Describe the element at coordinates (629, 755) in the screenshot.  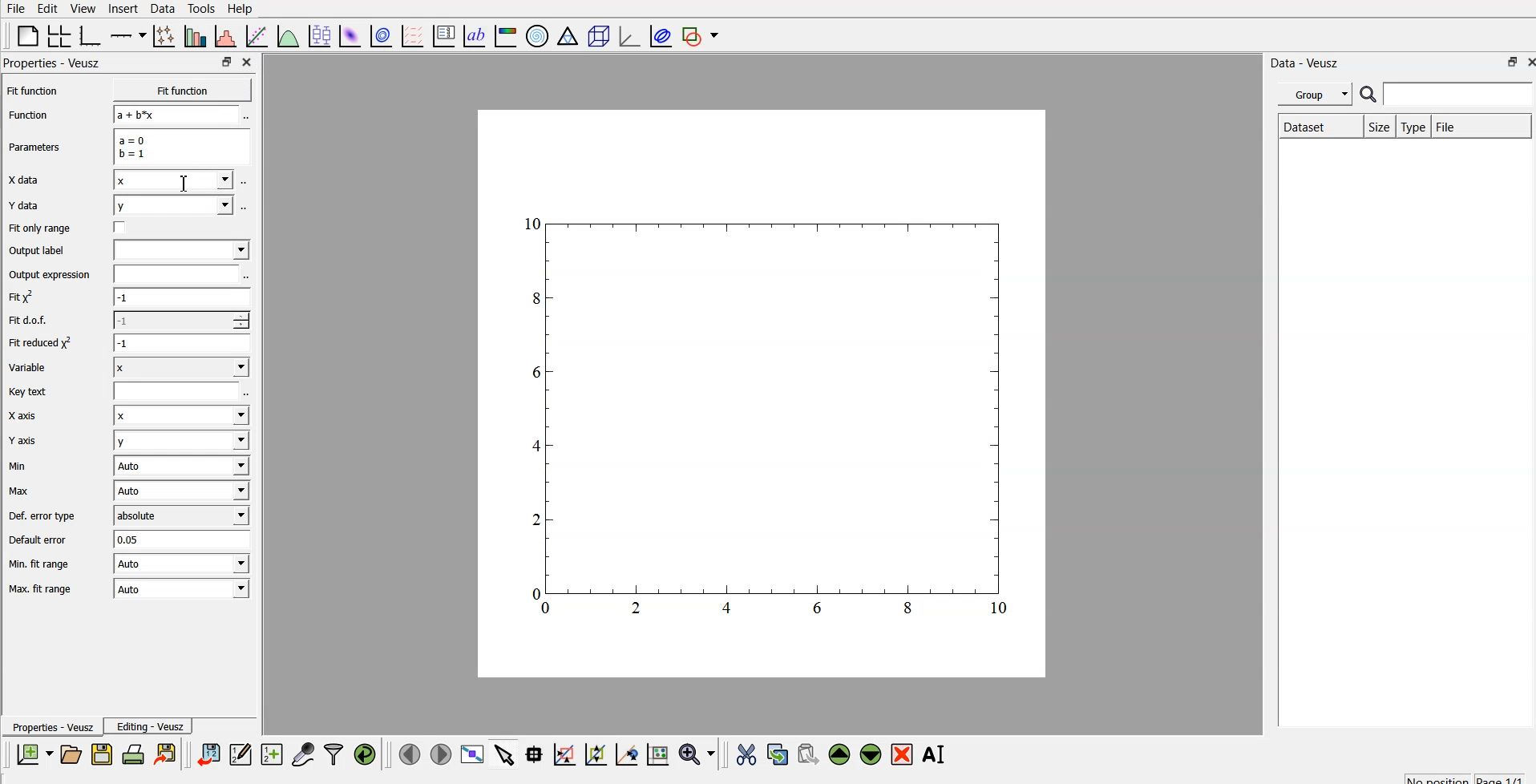
I see `click to recenter graph axes` at that location.